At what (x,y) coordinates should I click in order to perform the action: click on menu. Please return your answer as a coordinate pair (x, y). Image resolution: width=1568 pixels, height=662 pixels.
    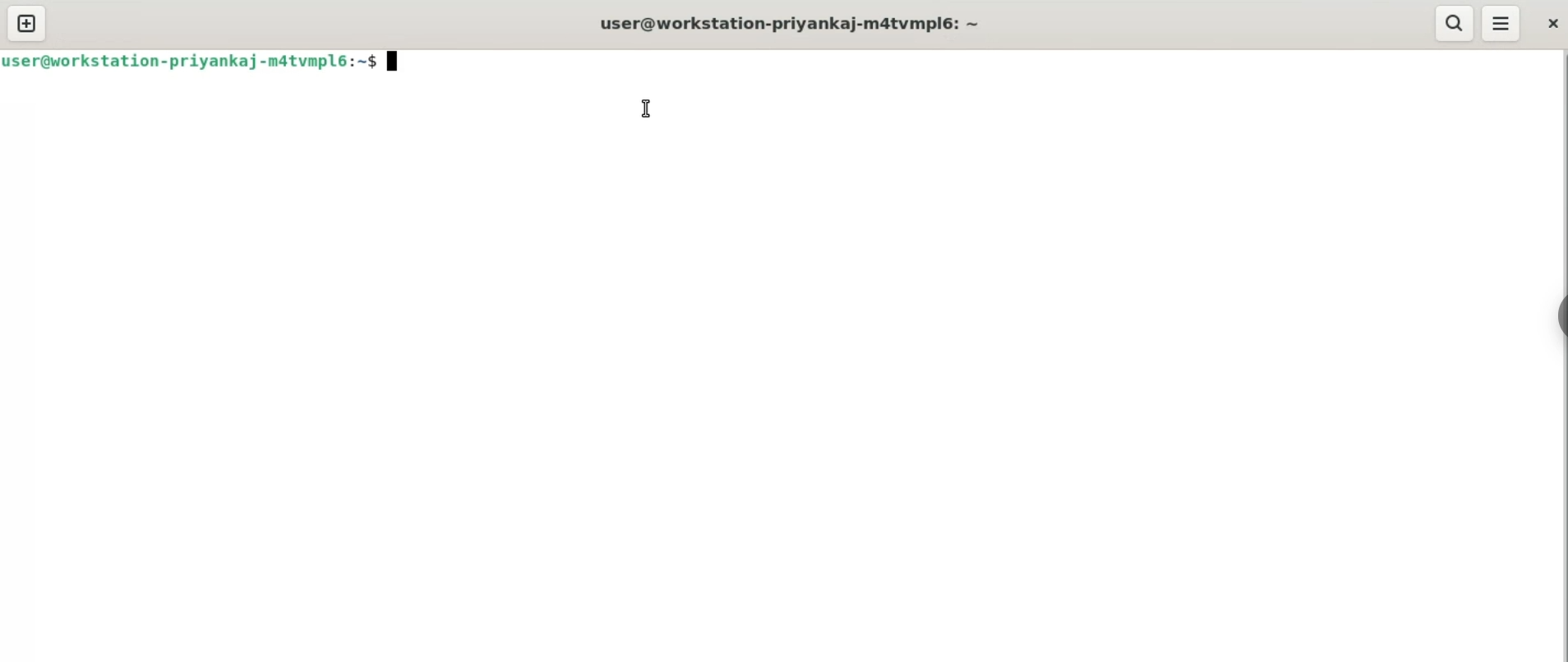
    Looking at the image, I should click on (1502, 22).